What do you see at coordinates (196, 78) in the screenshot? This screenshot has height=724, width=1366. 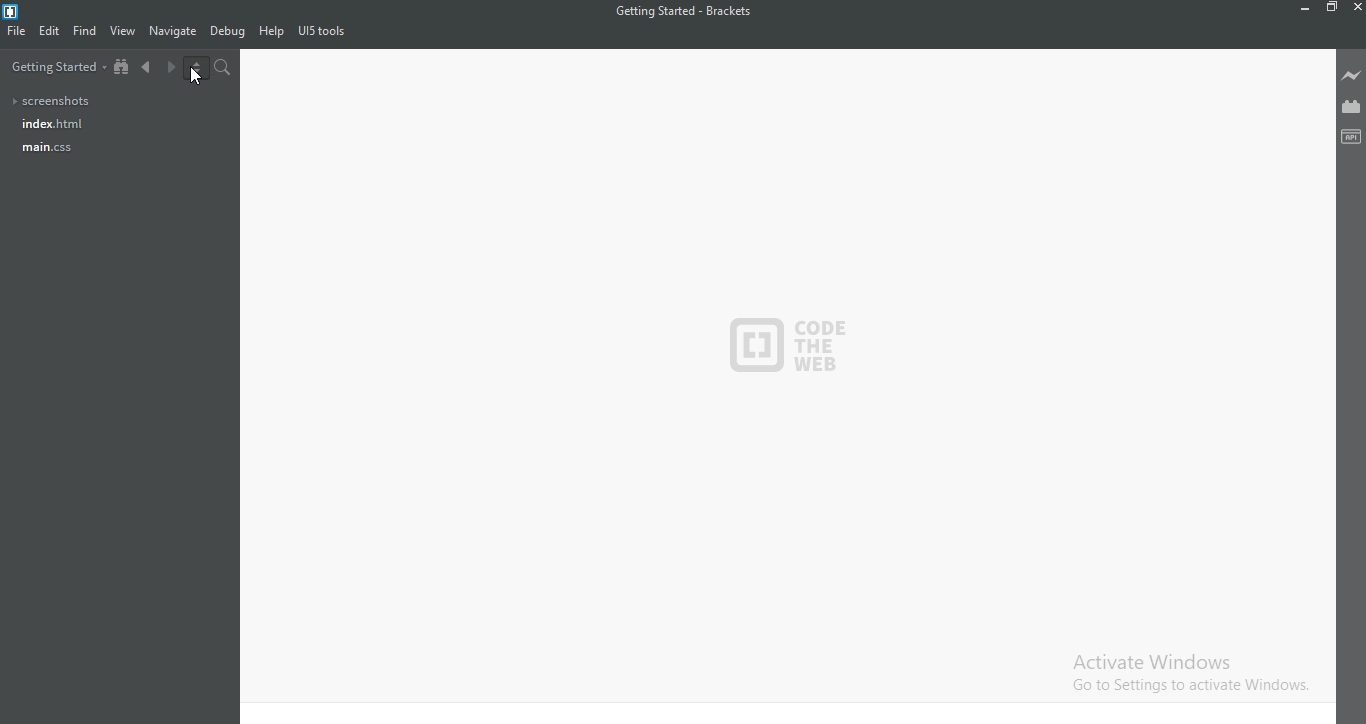 I see `cursor` at bounding box center [196, 78].